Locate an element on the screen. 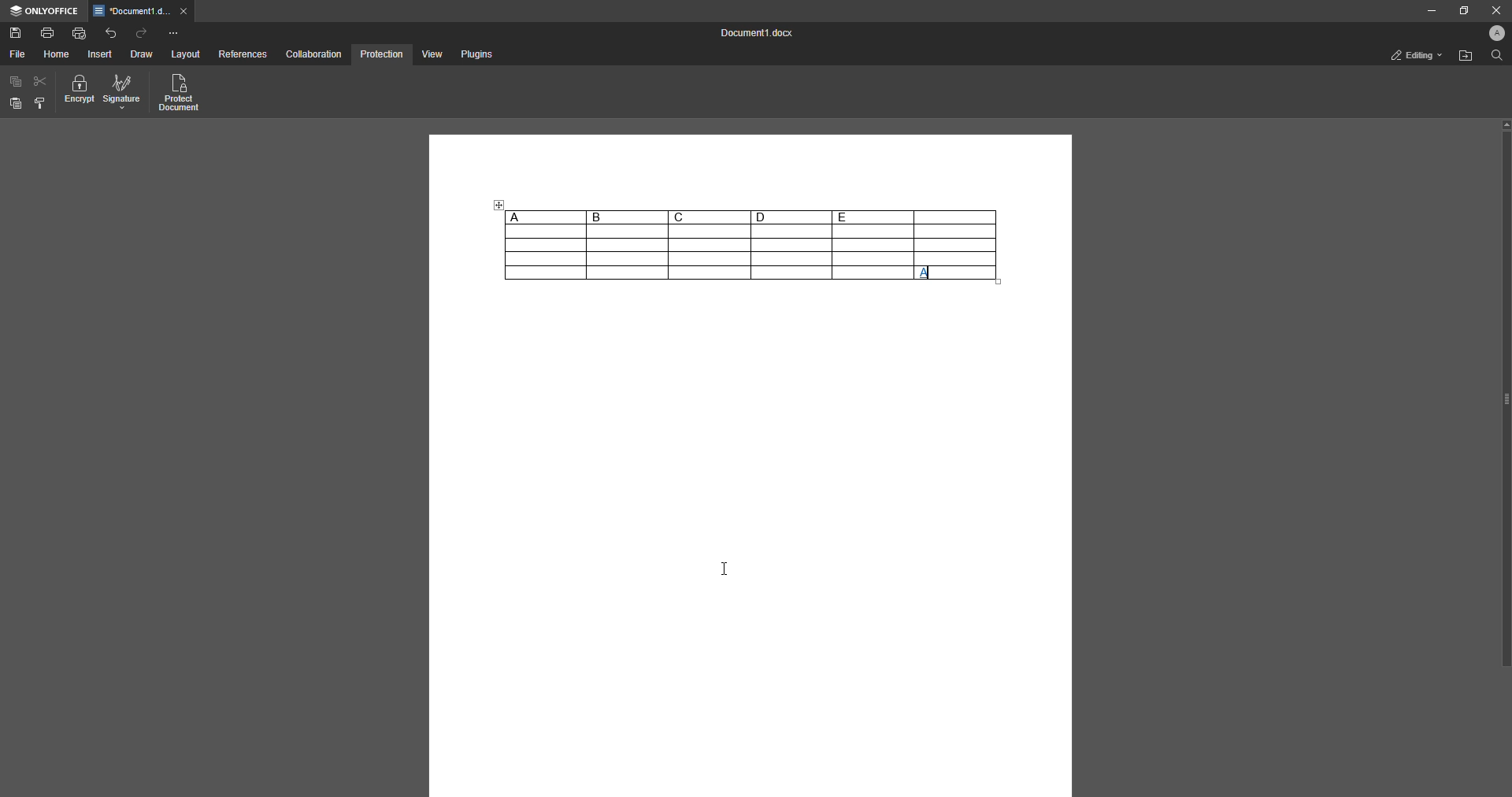 The image size is (1512, 797). Plugins is located at coordinates (475, 55).